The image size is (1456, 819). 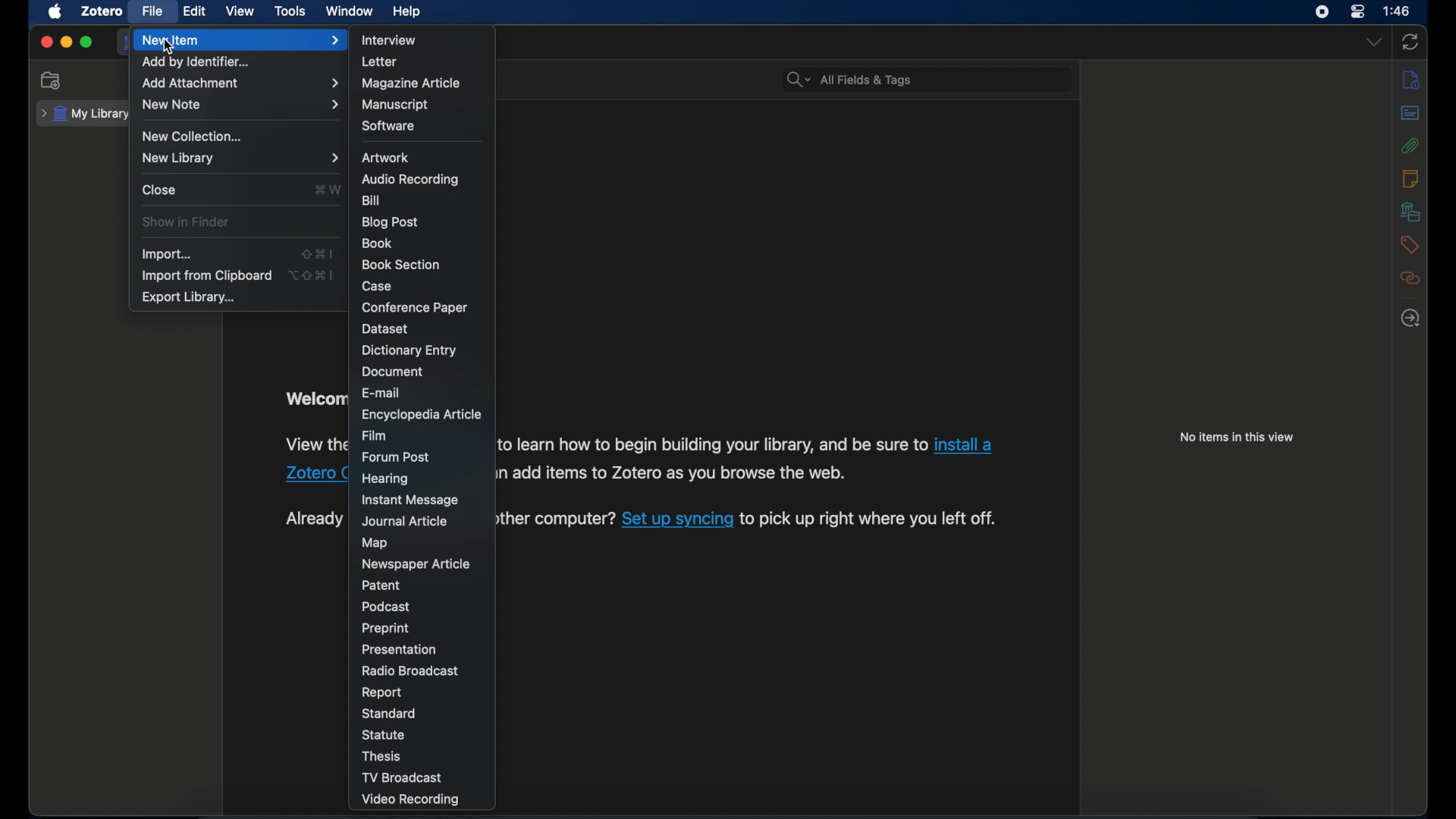 What do you see at coordinates (190, 298) in the screenshot?
I see `export library` at bounding box center [190, 298].